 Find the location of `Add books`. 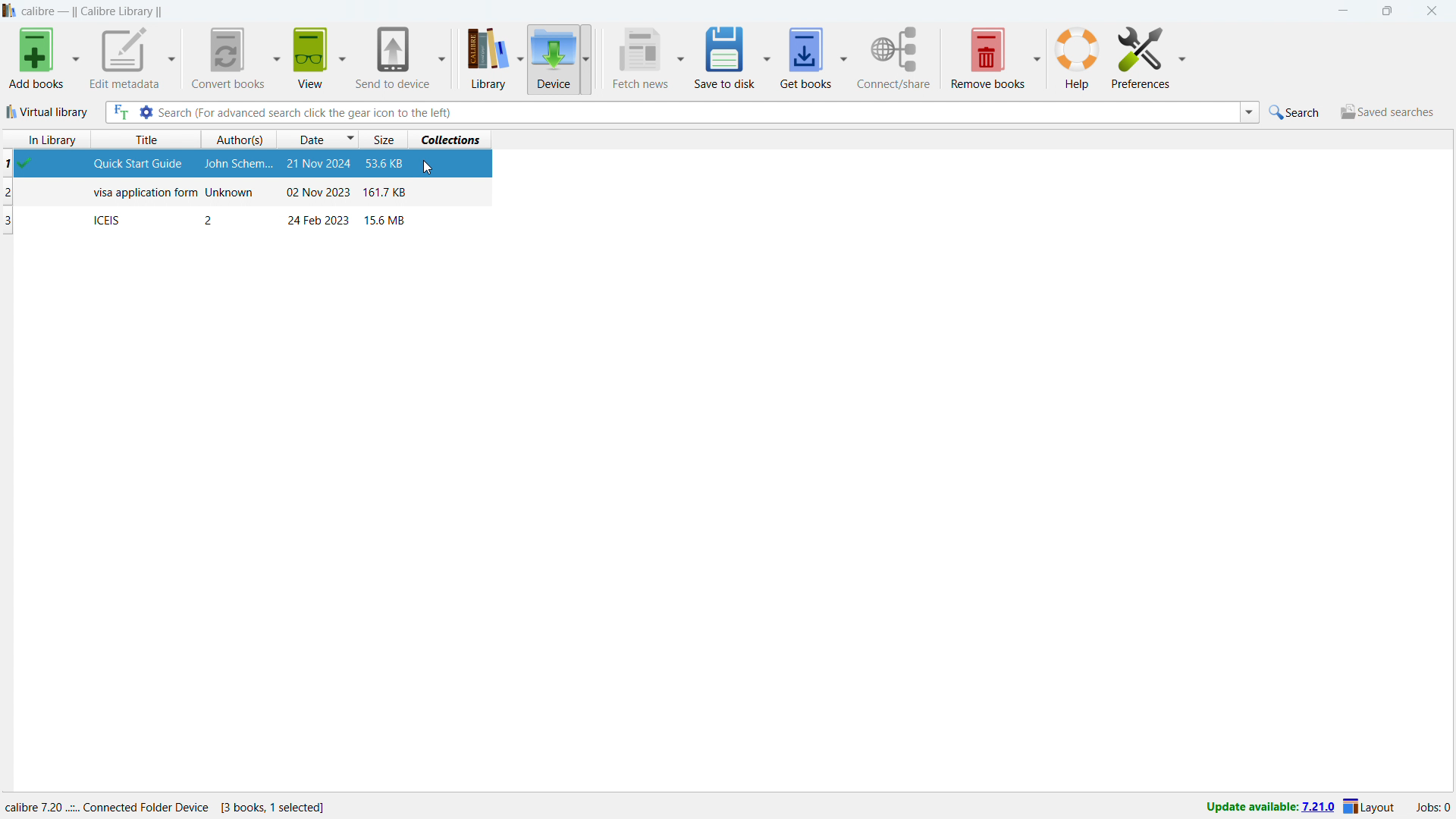

Add books is located at coordinates (35, 59).